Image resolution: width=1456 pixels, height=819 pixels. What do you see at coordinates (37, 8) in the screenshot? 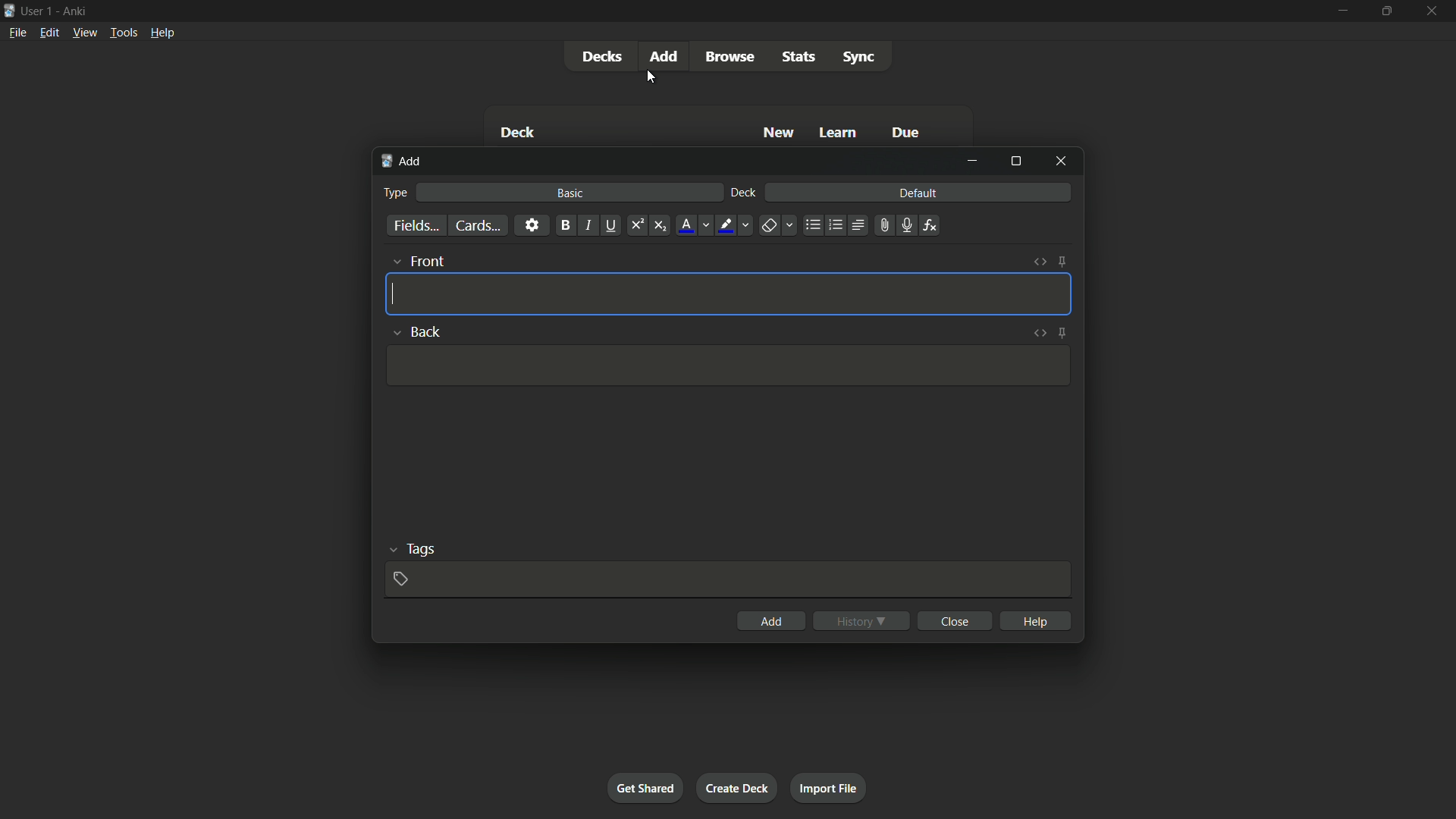
I see `user 1` at bounding box center [37, 8].